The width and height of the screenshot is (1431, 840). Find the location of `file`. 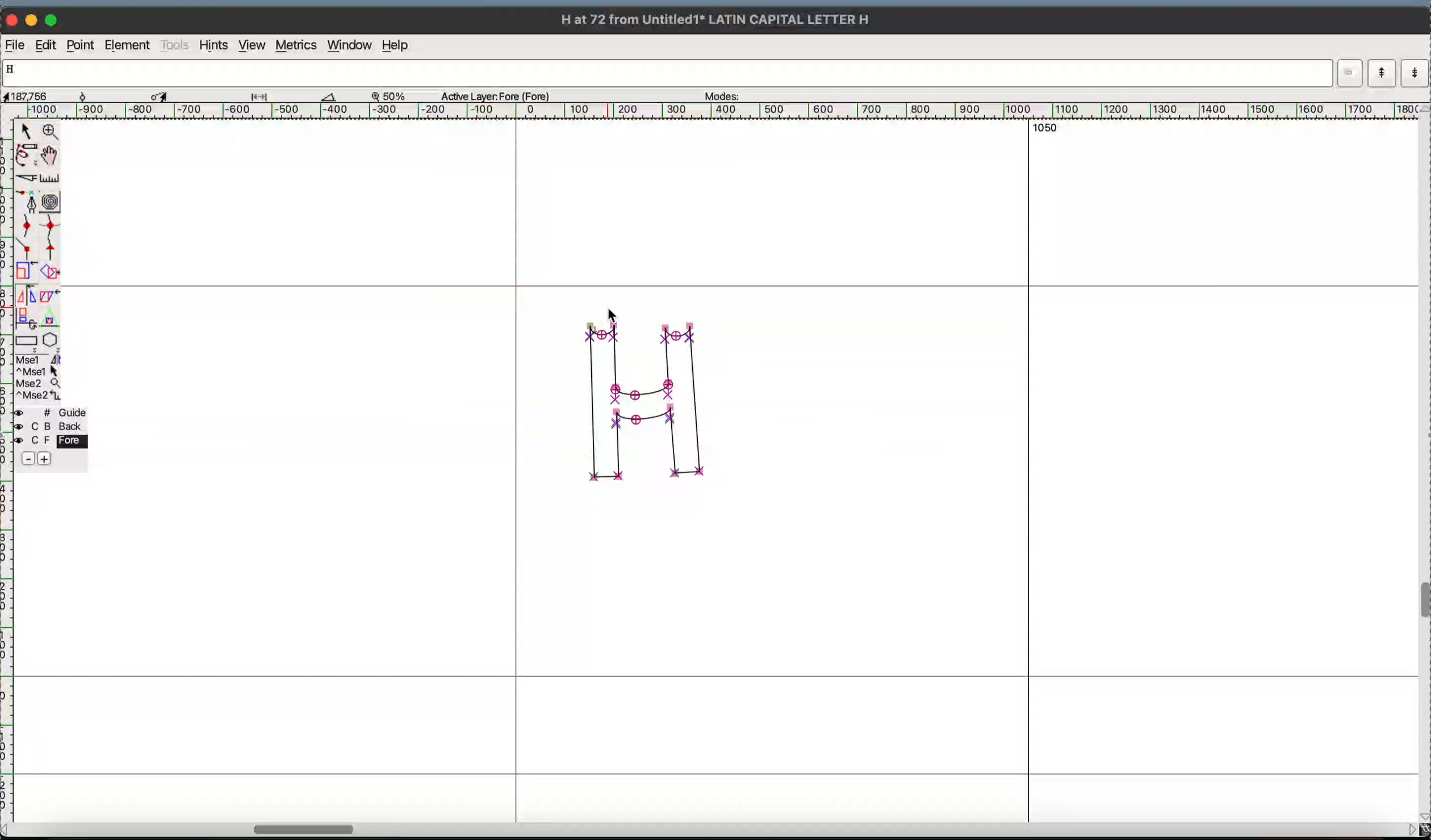

file is located at coordinates (15, 45).